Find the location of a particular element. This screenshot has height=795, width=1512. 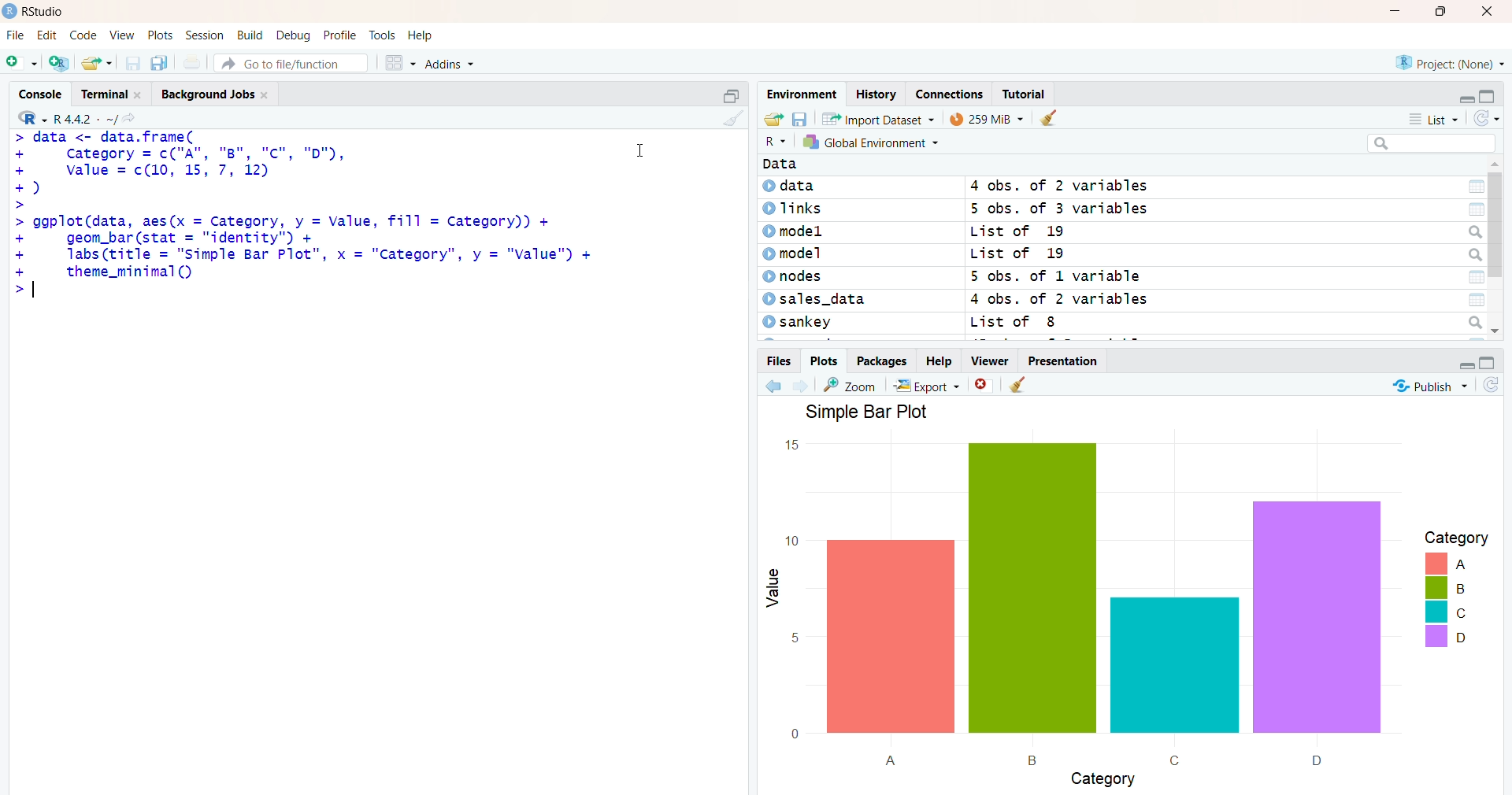

logo is located at coordinates (10, 11).